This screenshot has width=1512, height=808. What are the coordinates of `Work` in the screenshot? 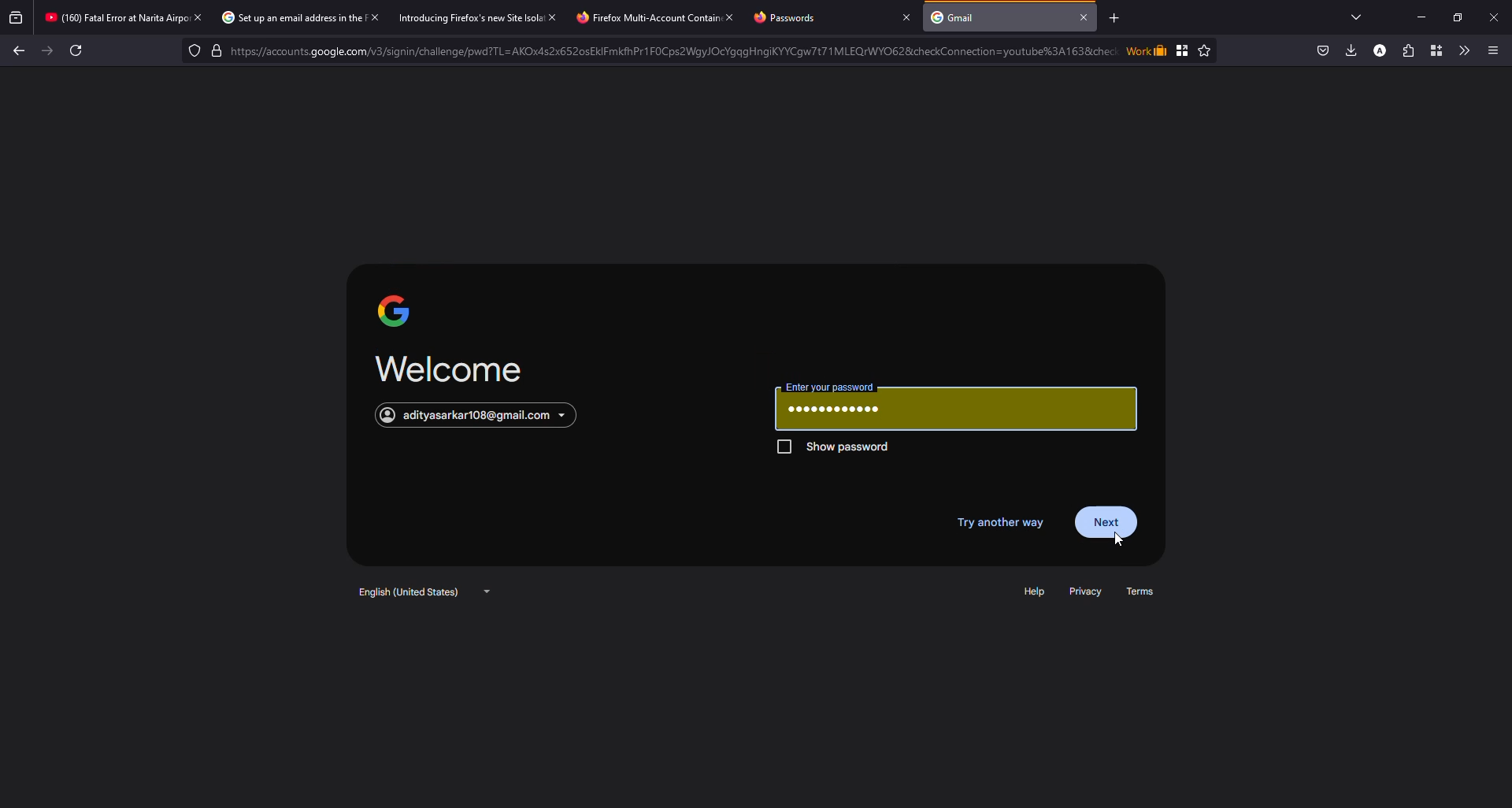 It's located at (1147, 50).